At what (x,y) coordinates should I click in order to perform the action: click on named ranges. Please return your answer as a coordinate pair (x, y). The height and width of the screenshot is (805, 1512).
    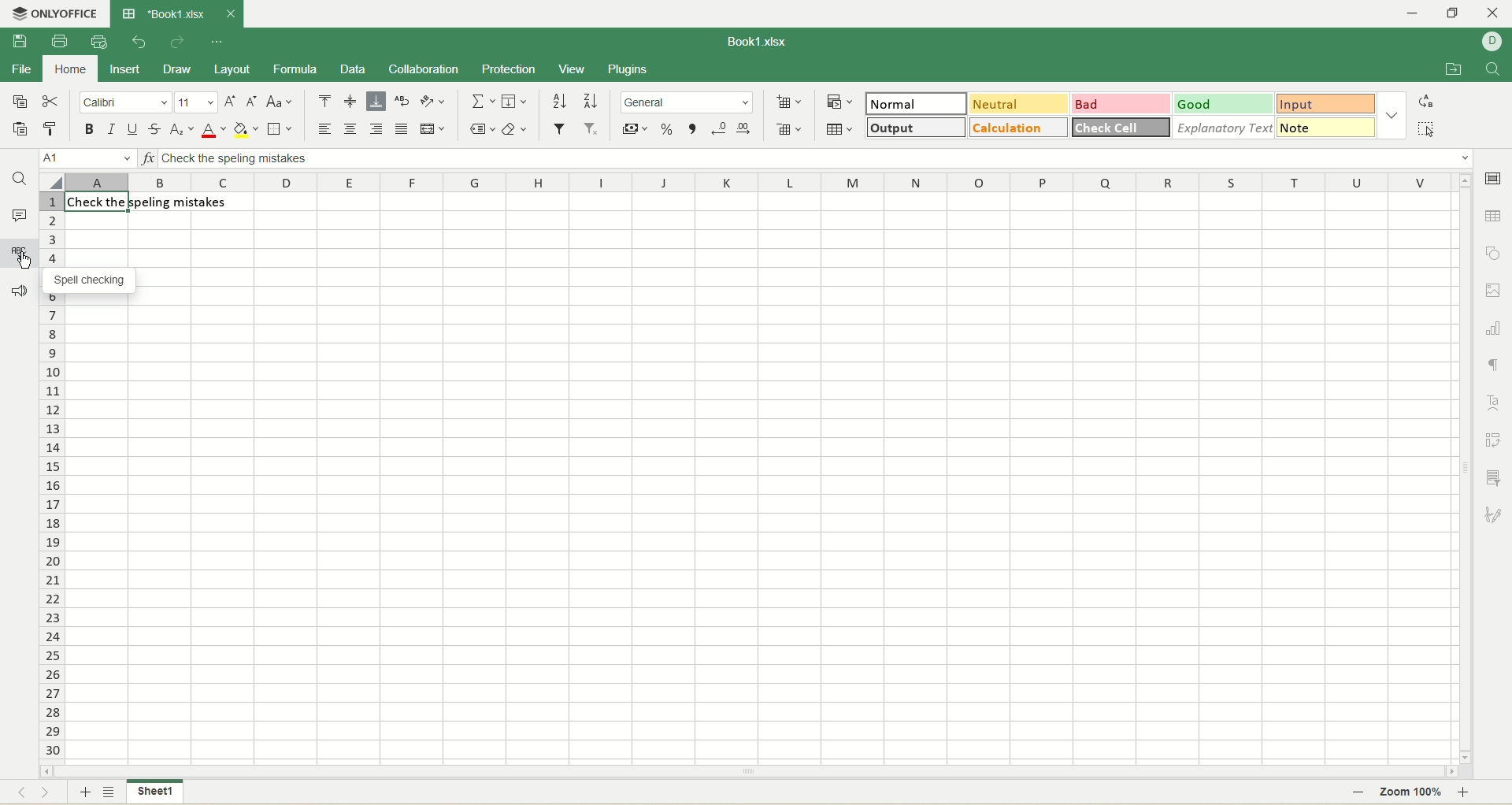
    Looking at the image, I should click on (480, 128).